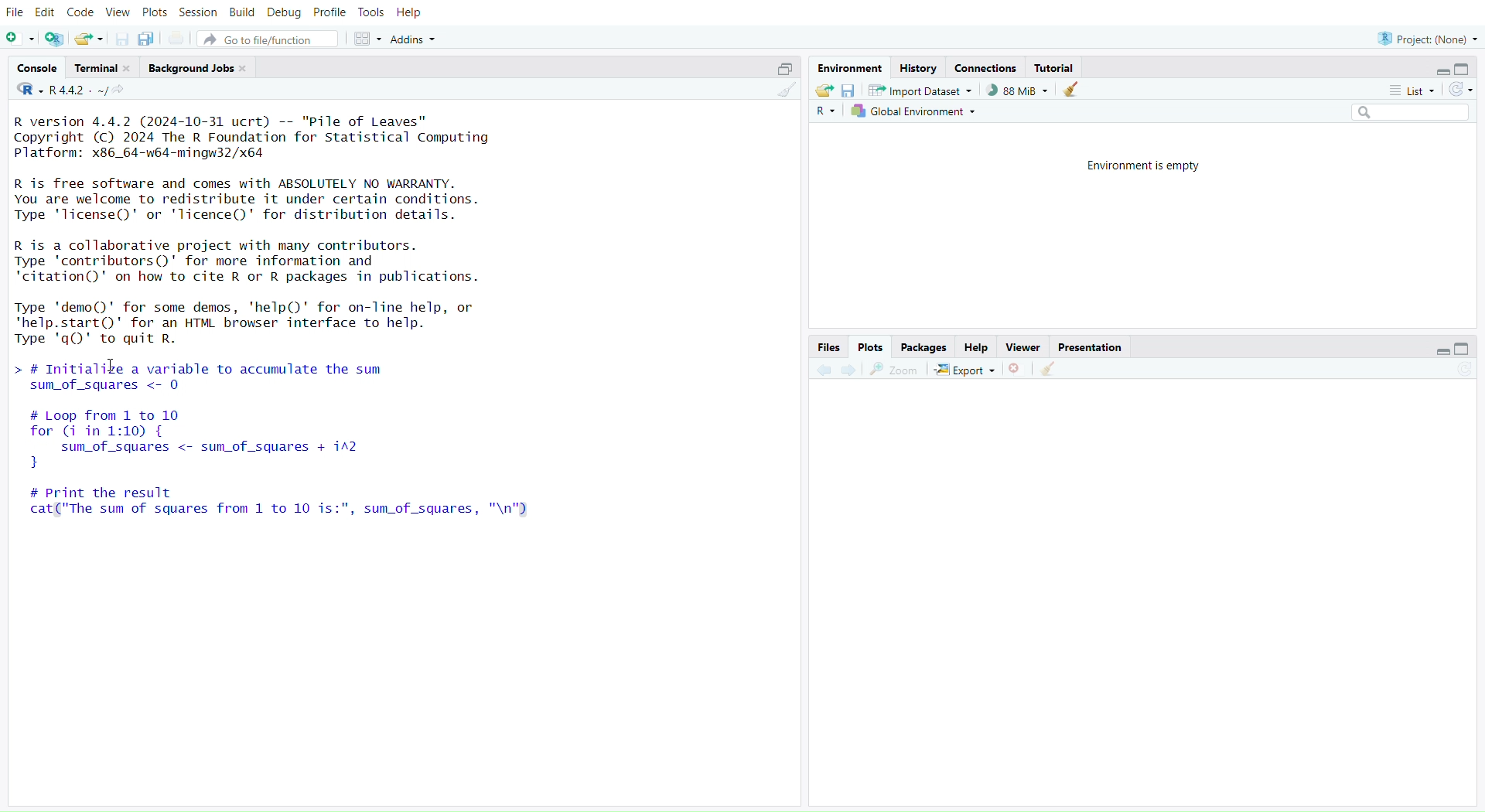  I want to click on import dataset, so click(926, 90).